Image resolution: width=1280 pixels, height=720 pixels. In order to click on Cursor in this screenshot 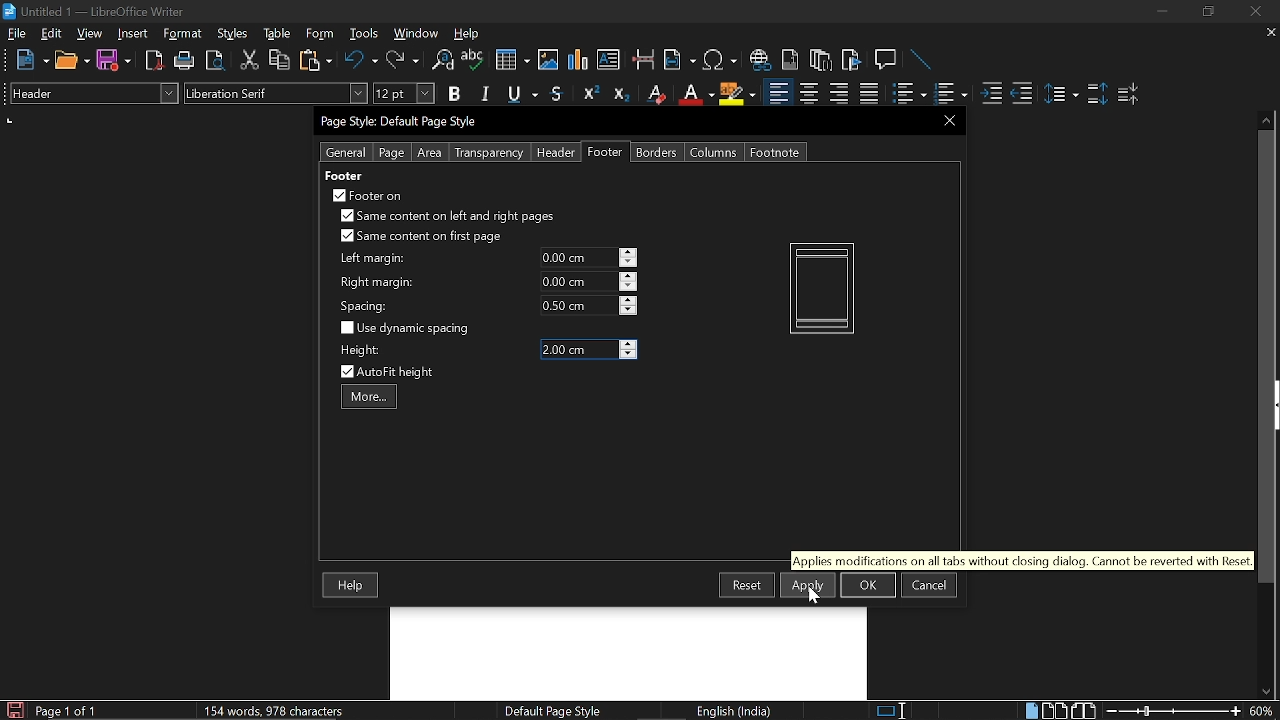, I will do `click(816, 595)`.